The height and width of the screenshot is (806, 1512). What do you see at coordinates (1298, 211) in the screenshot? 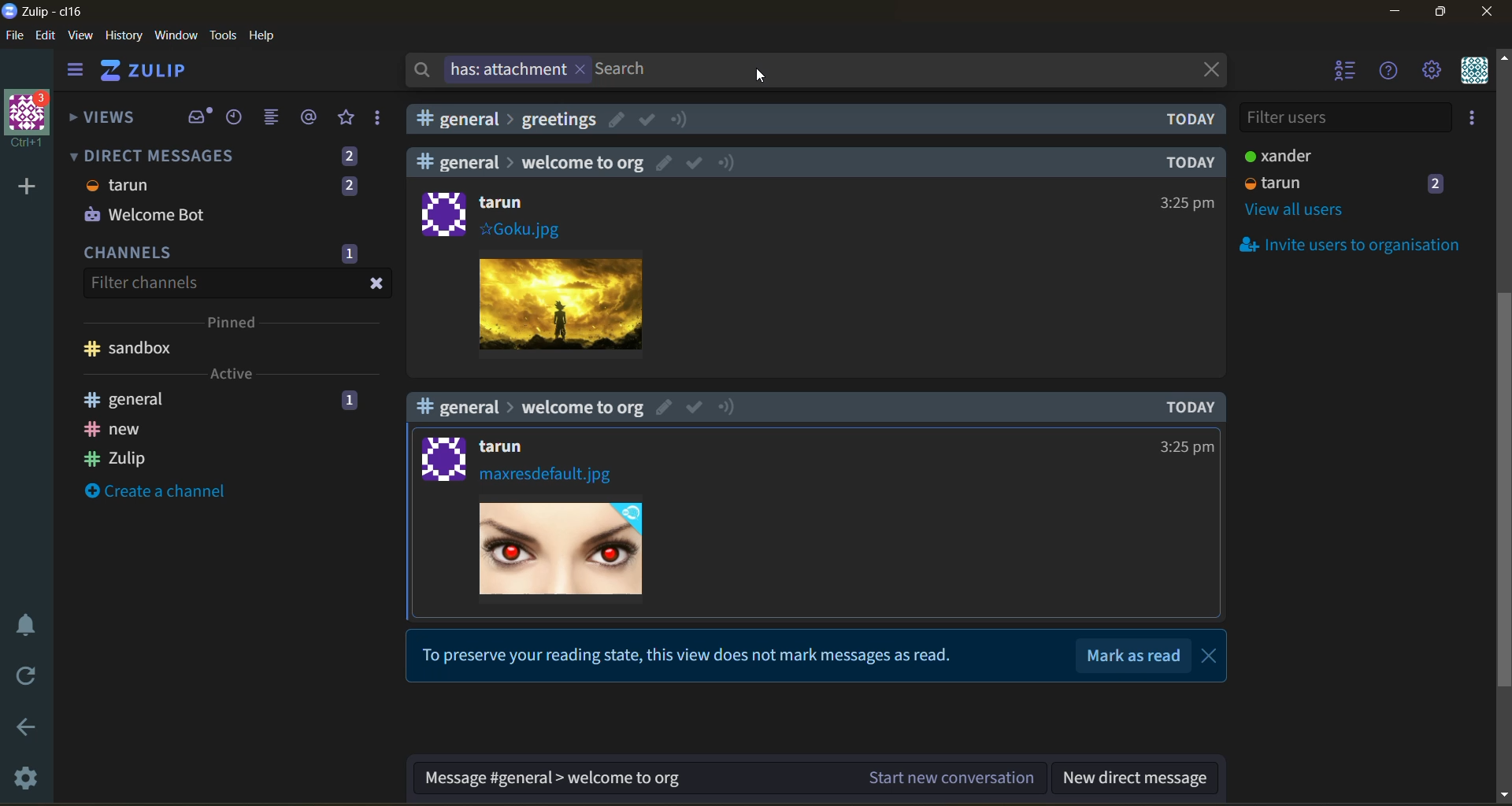
I see `view all users` at bounding box center [1298, 211].